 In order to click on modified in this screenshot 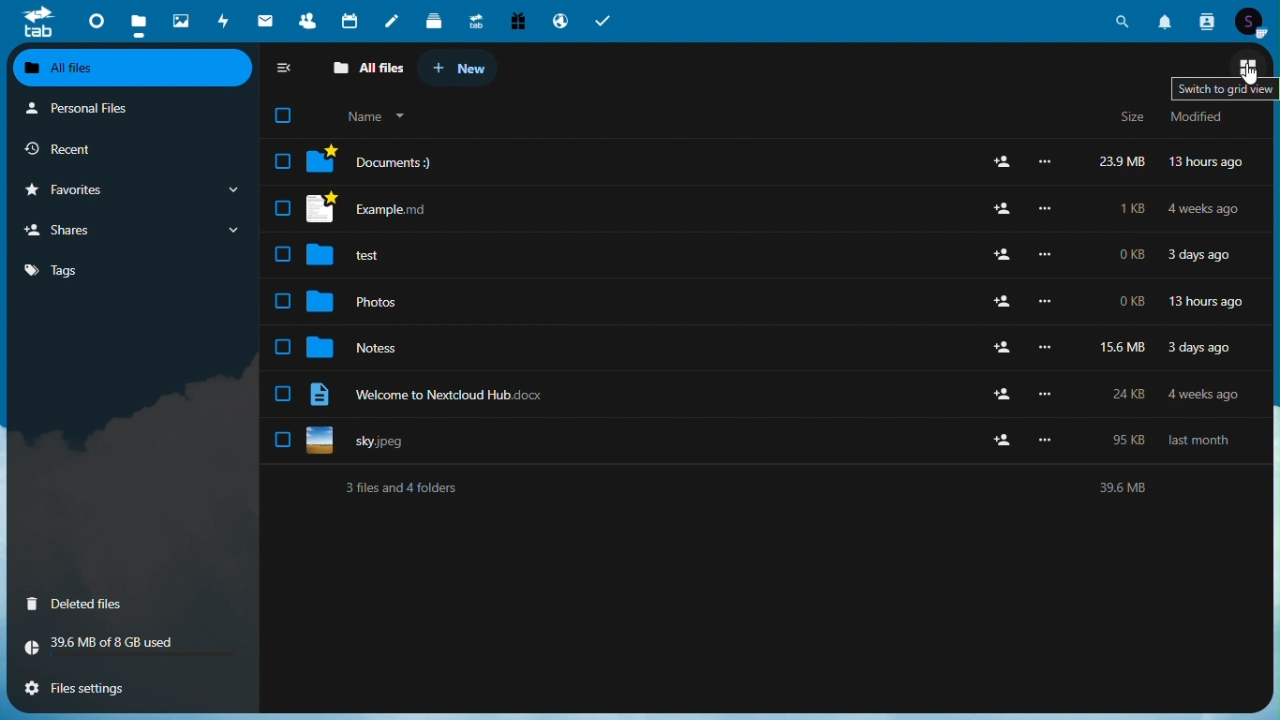, I will do `click(1201, 116)`.